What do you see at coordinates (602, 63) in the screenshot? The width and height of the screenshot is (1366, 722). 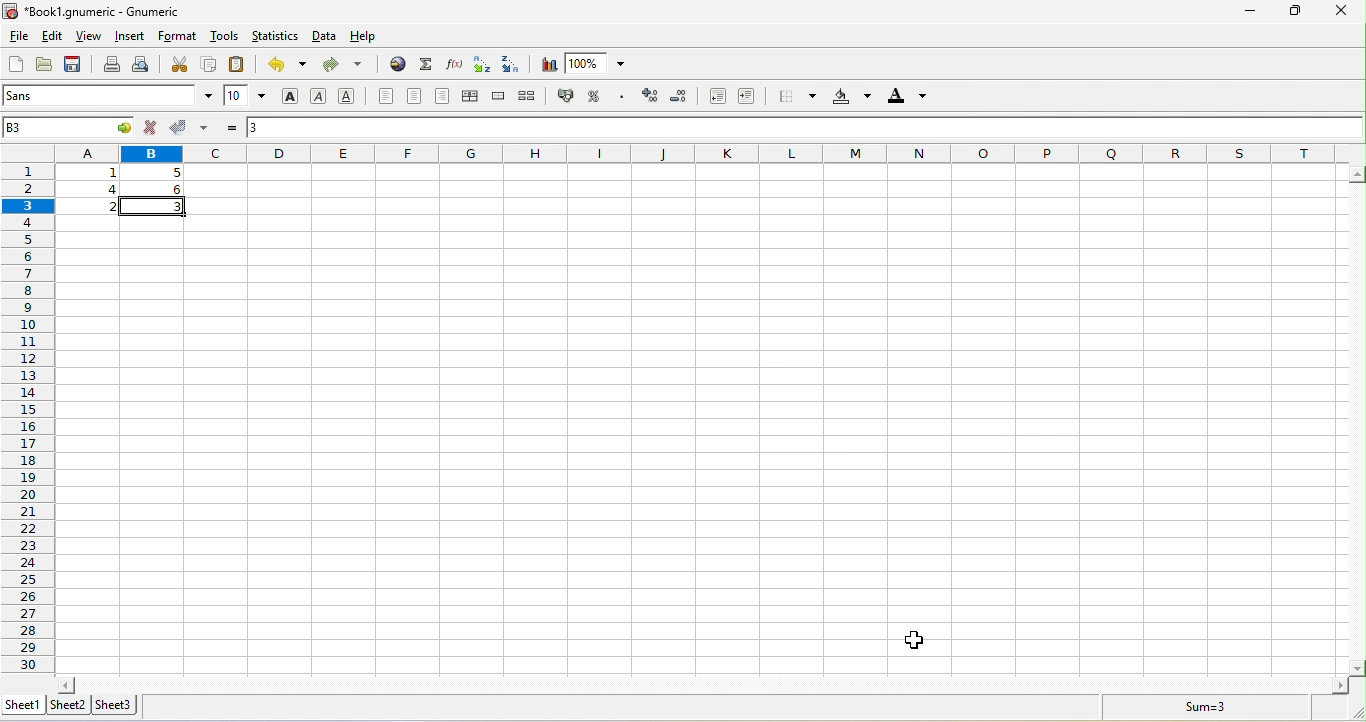 I see `zoom` at bounding box center [602, 63].